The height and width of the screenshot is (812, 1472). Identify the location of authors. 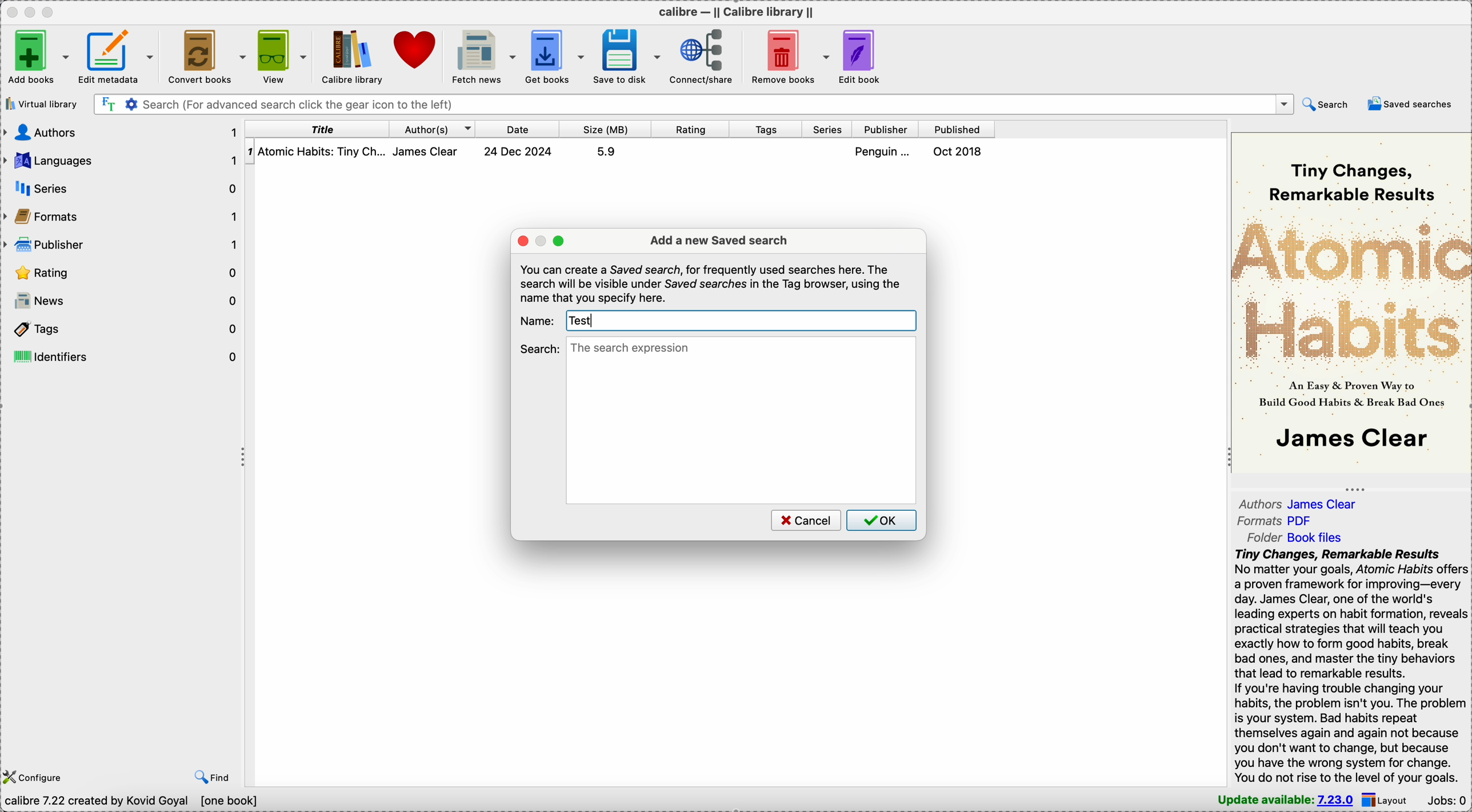
(122, 131).